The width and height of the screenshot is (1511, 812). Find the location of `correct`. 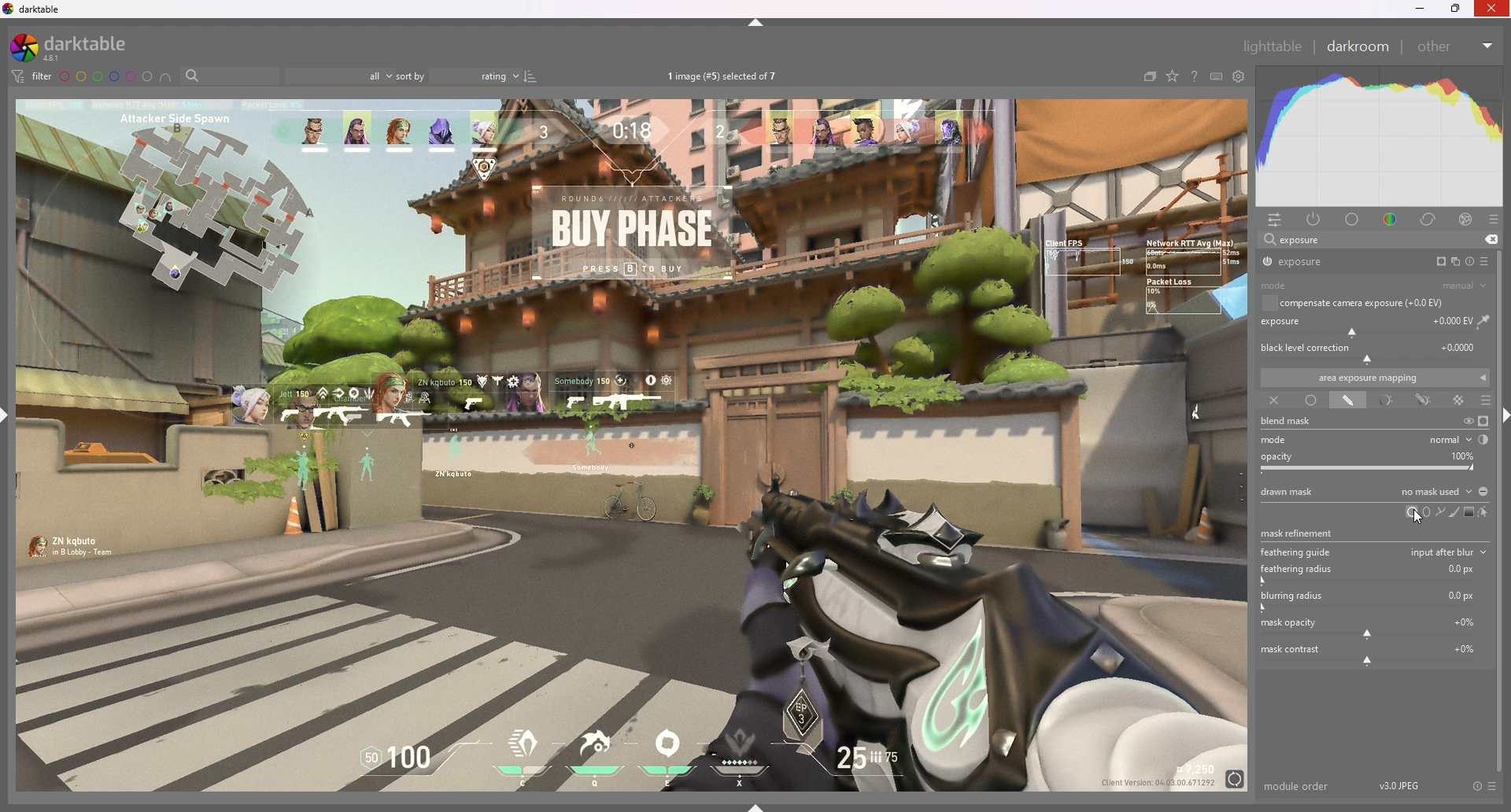

correct is located at coordinates (1430, 220).